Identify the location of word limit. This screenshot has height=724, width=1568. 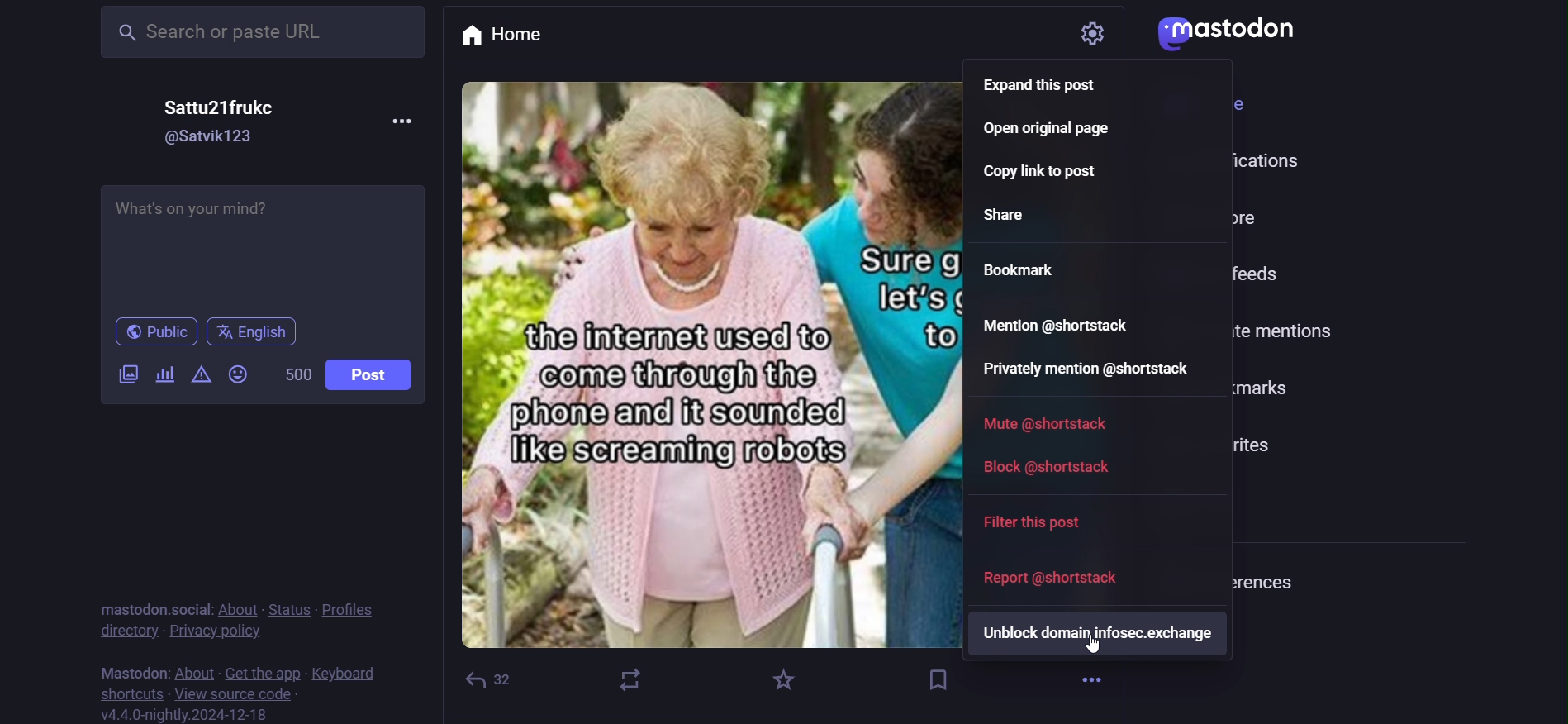
(298, 373).